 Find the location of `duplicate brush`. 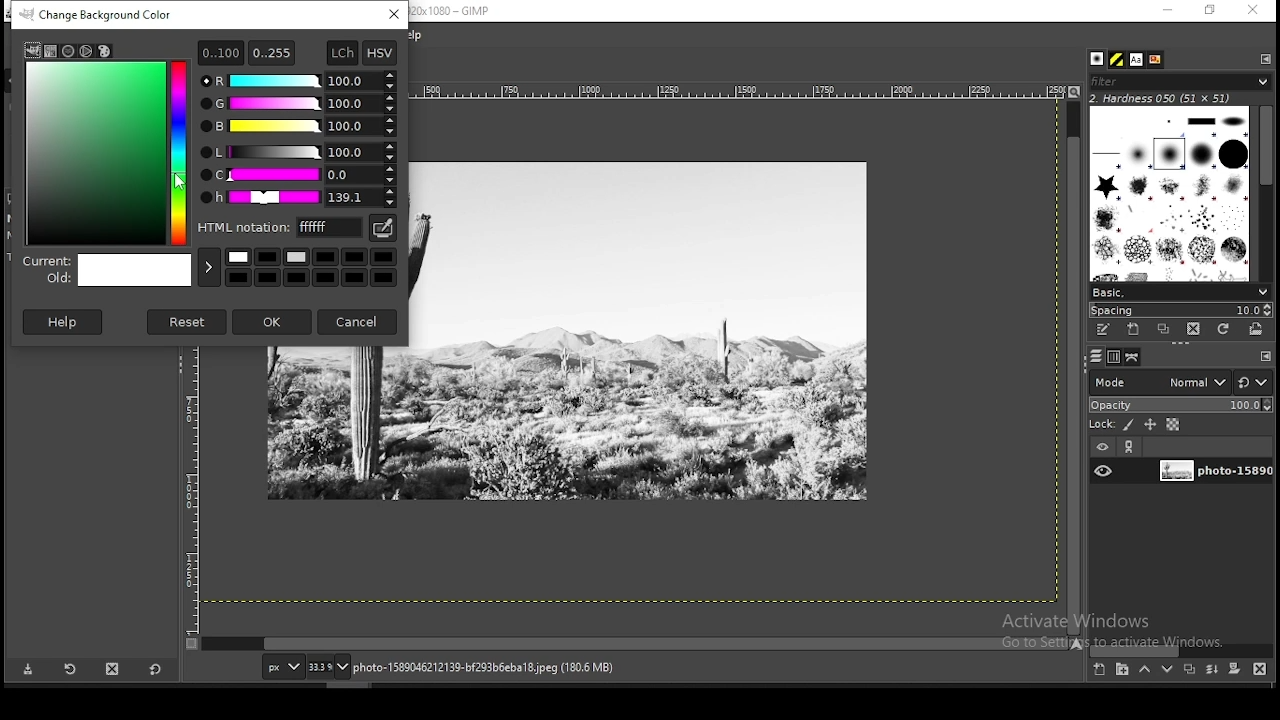

duplicate brush is located at coordinates (1163, 330).